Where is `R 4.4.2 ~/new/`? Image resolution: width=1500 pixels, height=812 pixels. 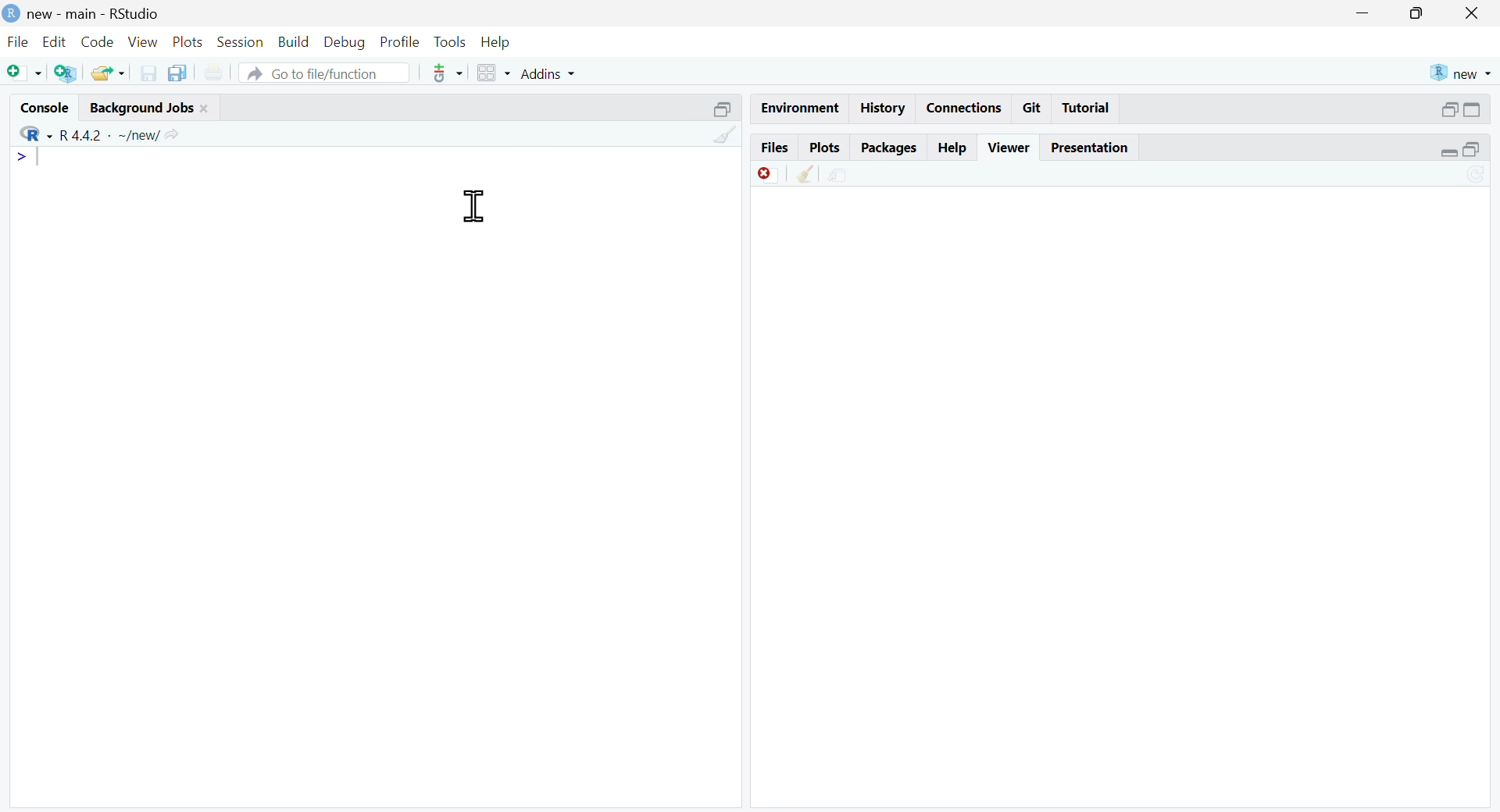 R 4.4.2 ~/new/ is located at coordinates (111, 134).